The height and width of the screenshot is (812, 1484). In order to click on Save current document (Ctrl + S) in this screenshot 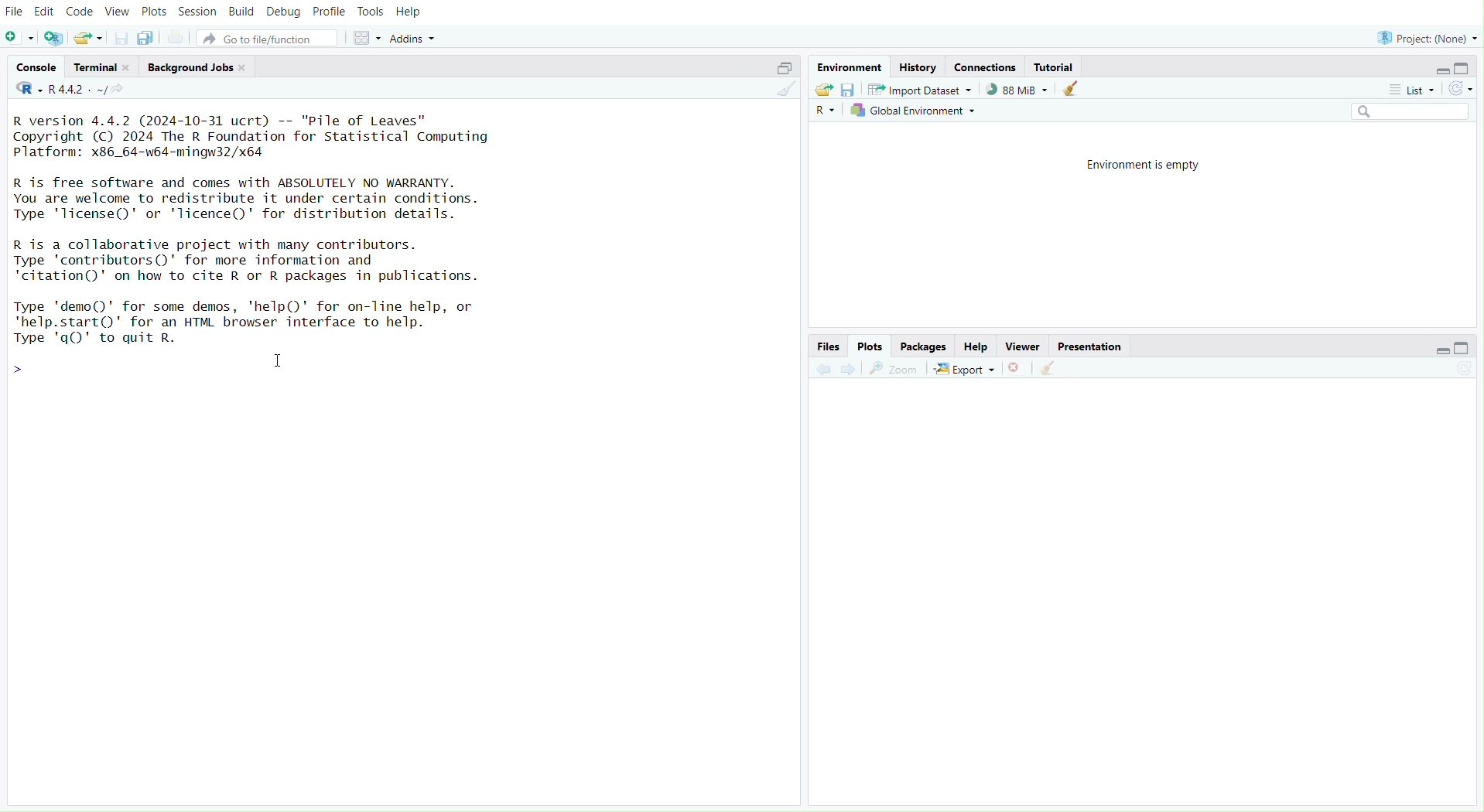, I will do `click(117, 37)`.